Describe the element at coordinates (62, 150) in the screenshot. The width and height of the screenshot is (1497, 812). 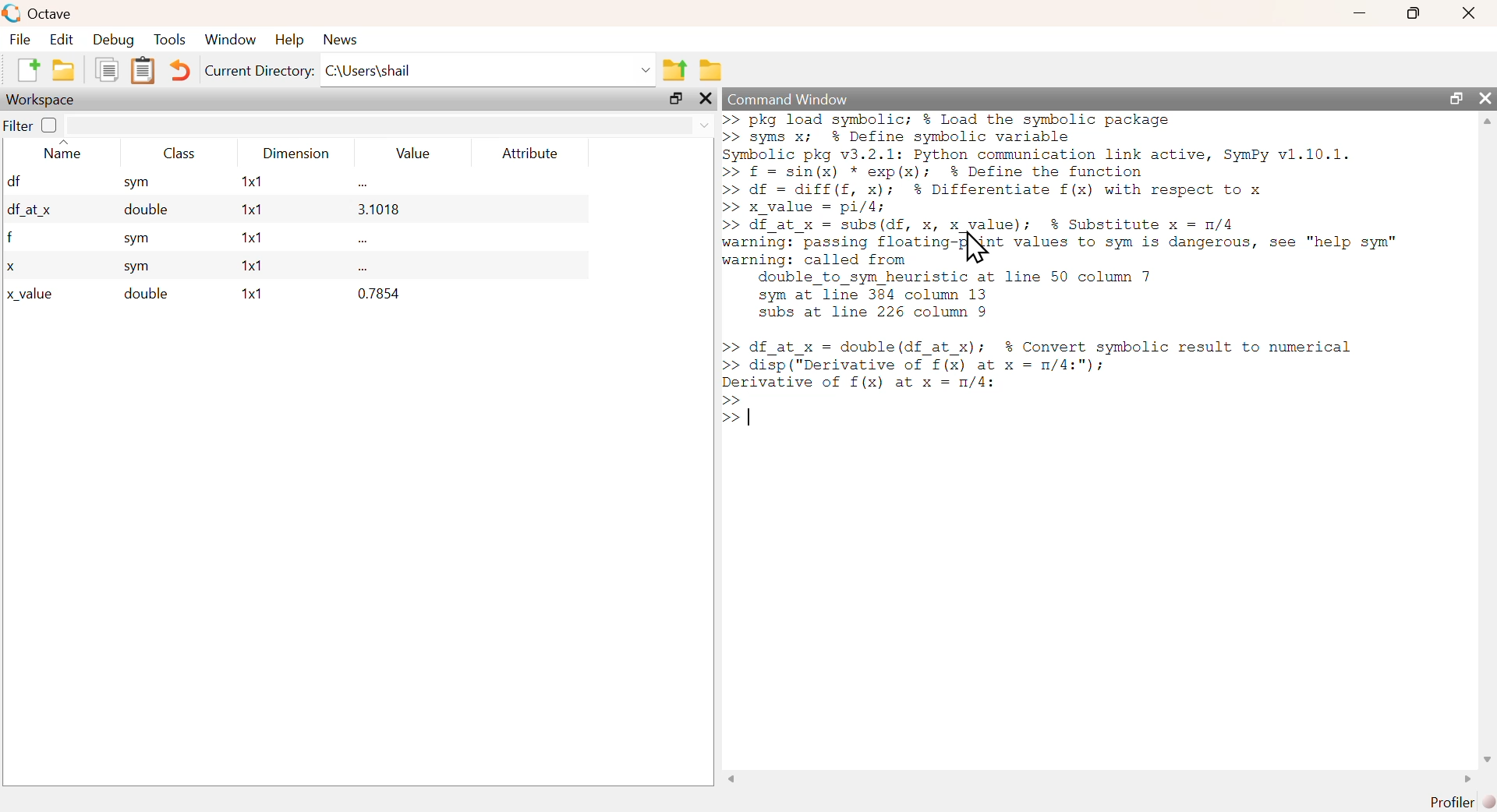
I see `Name` at that location.